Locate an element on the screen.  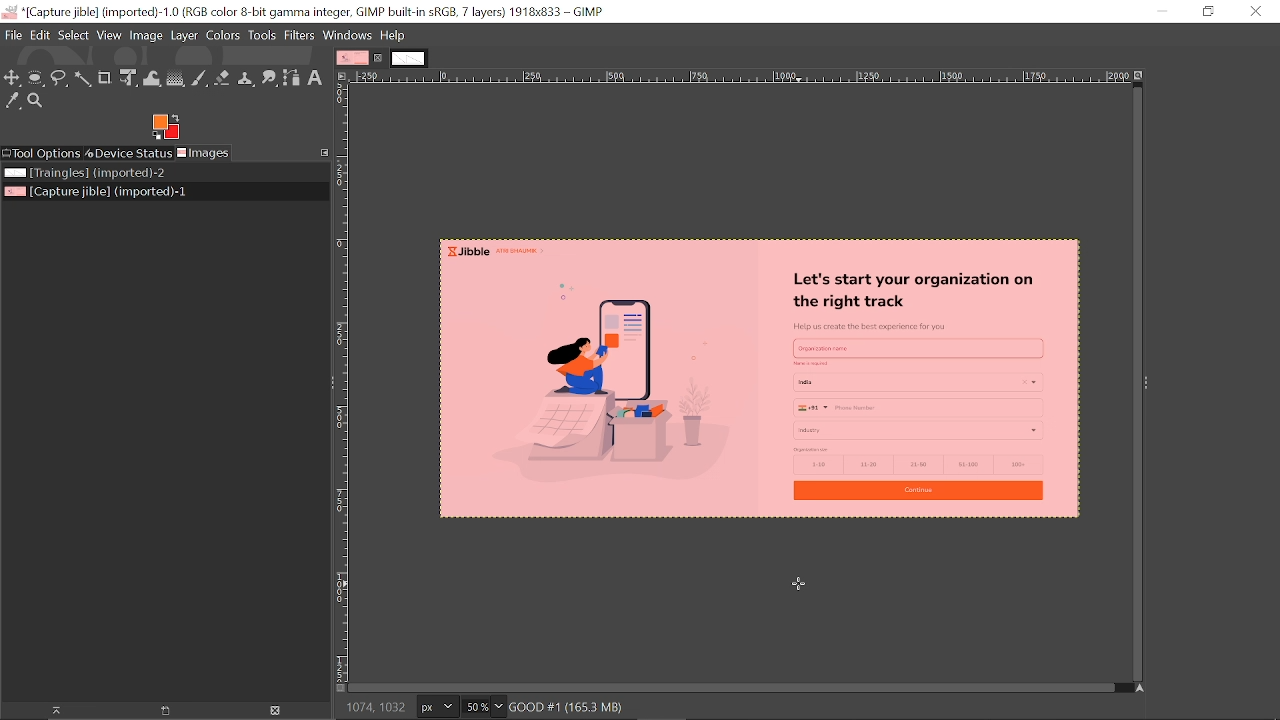
Configure this tab is located at coordinates (322, 152).